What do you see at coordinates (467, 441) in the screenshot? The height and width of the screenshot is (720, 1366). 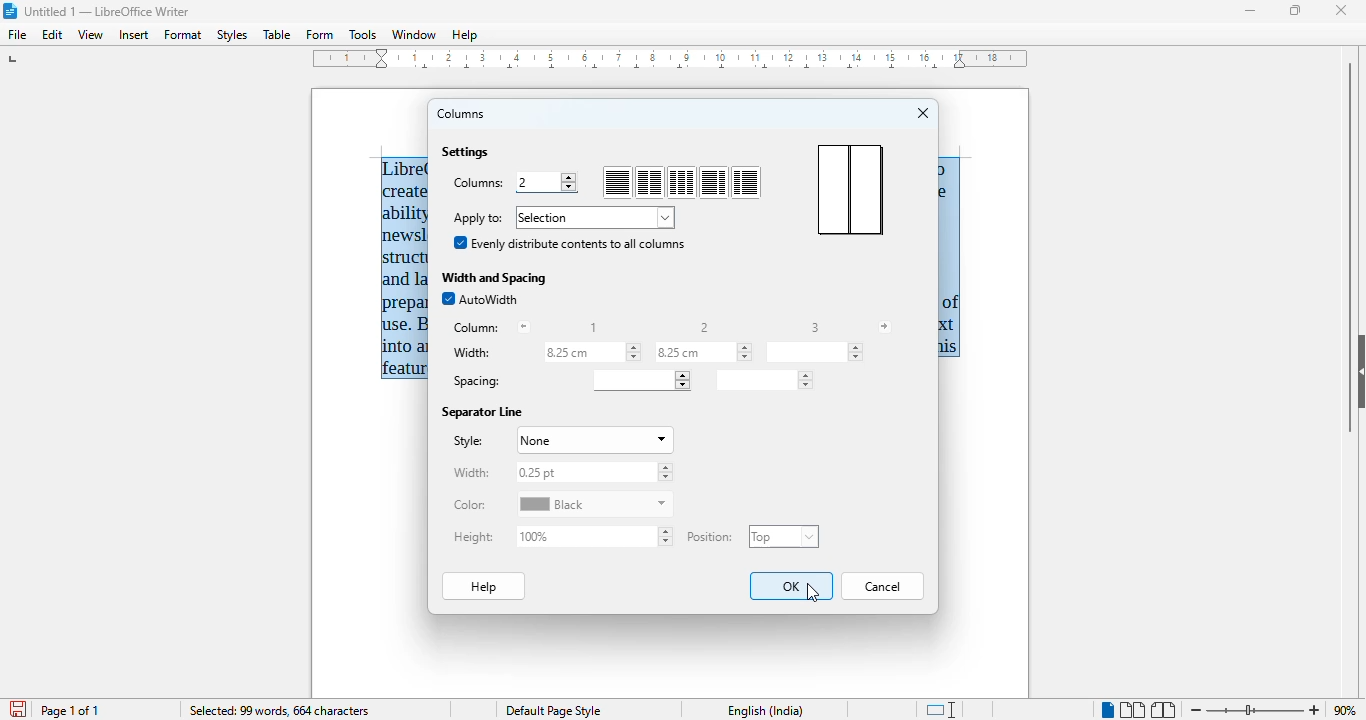 I see `style: ` at bounding box center [467, 441].